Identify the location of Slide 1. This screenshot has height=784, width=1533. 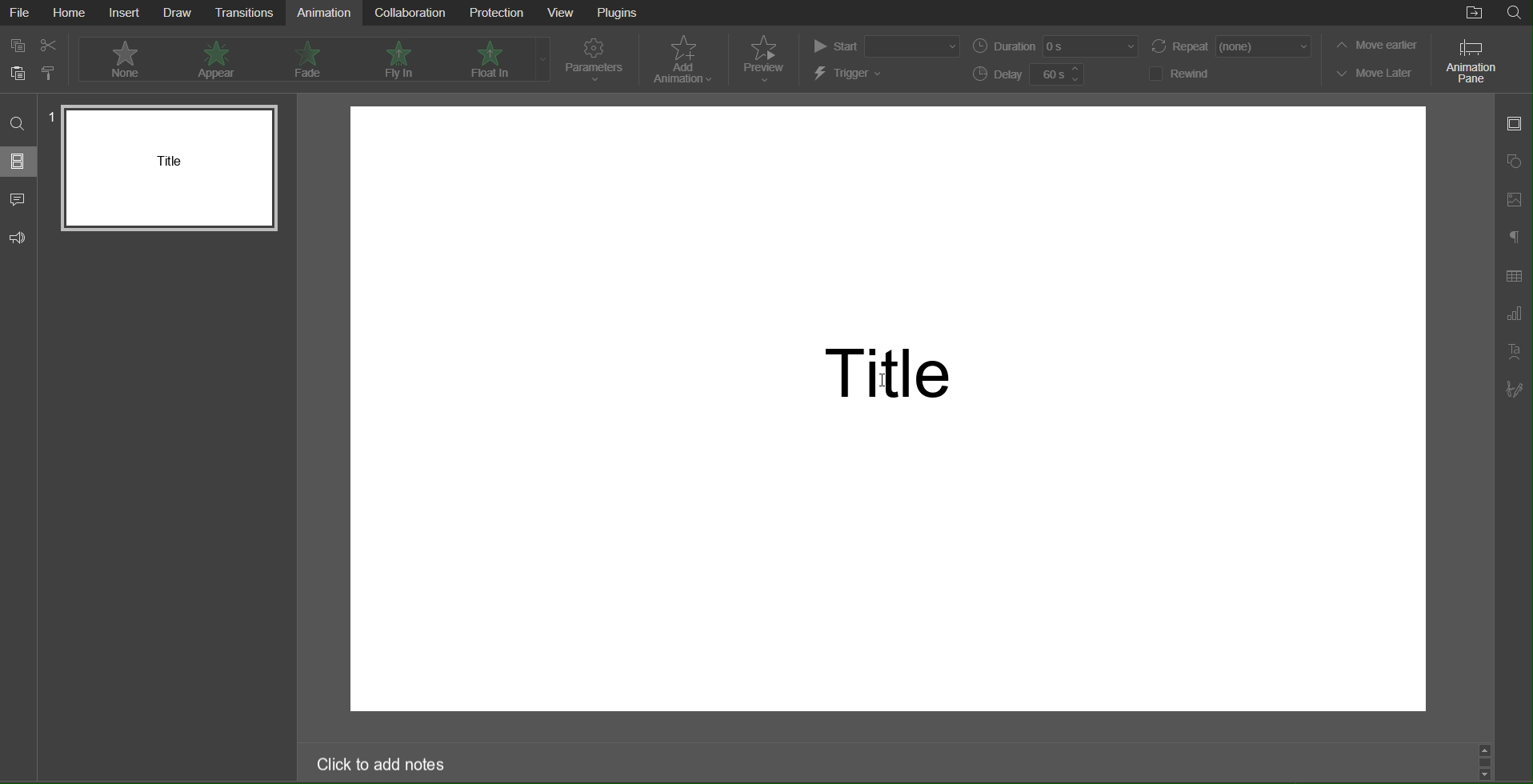
(167, 166).